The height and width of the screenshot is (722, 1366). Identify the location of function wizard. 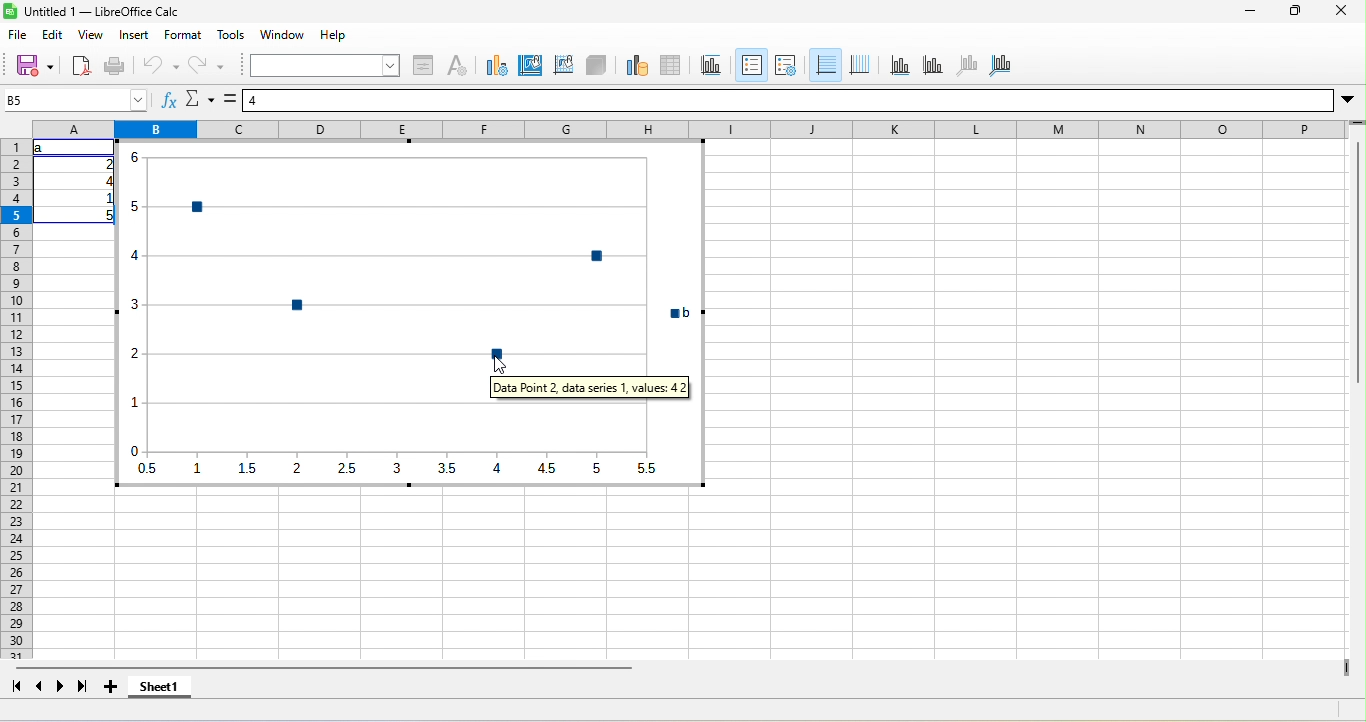
(170, 99).